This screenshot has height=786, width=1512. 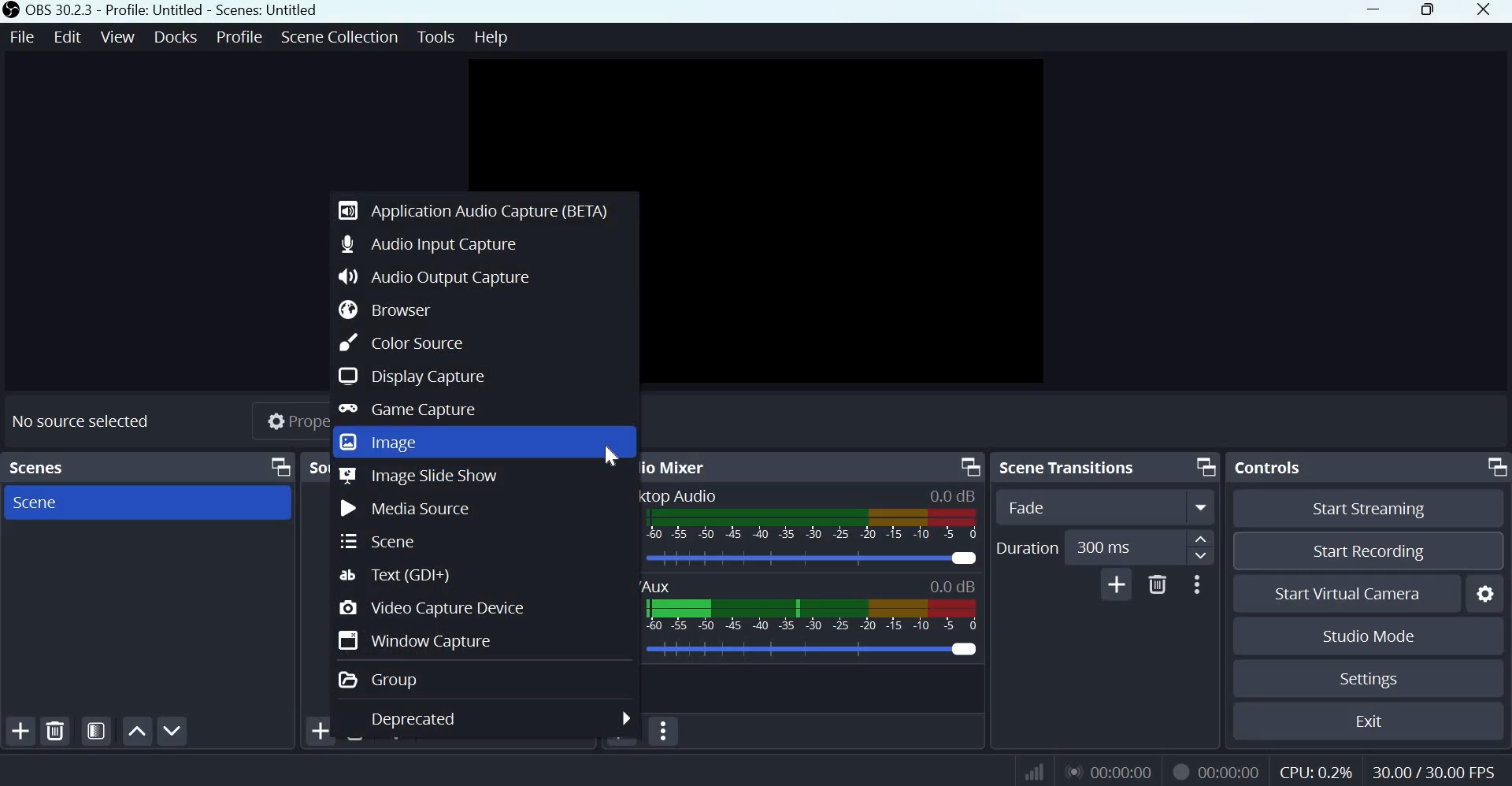 What do you see at coordinates (813, 560) in the screenshot?
I see `Audio slider` at bounding box center [813, 560].